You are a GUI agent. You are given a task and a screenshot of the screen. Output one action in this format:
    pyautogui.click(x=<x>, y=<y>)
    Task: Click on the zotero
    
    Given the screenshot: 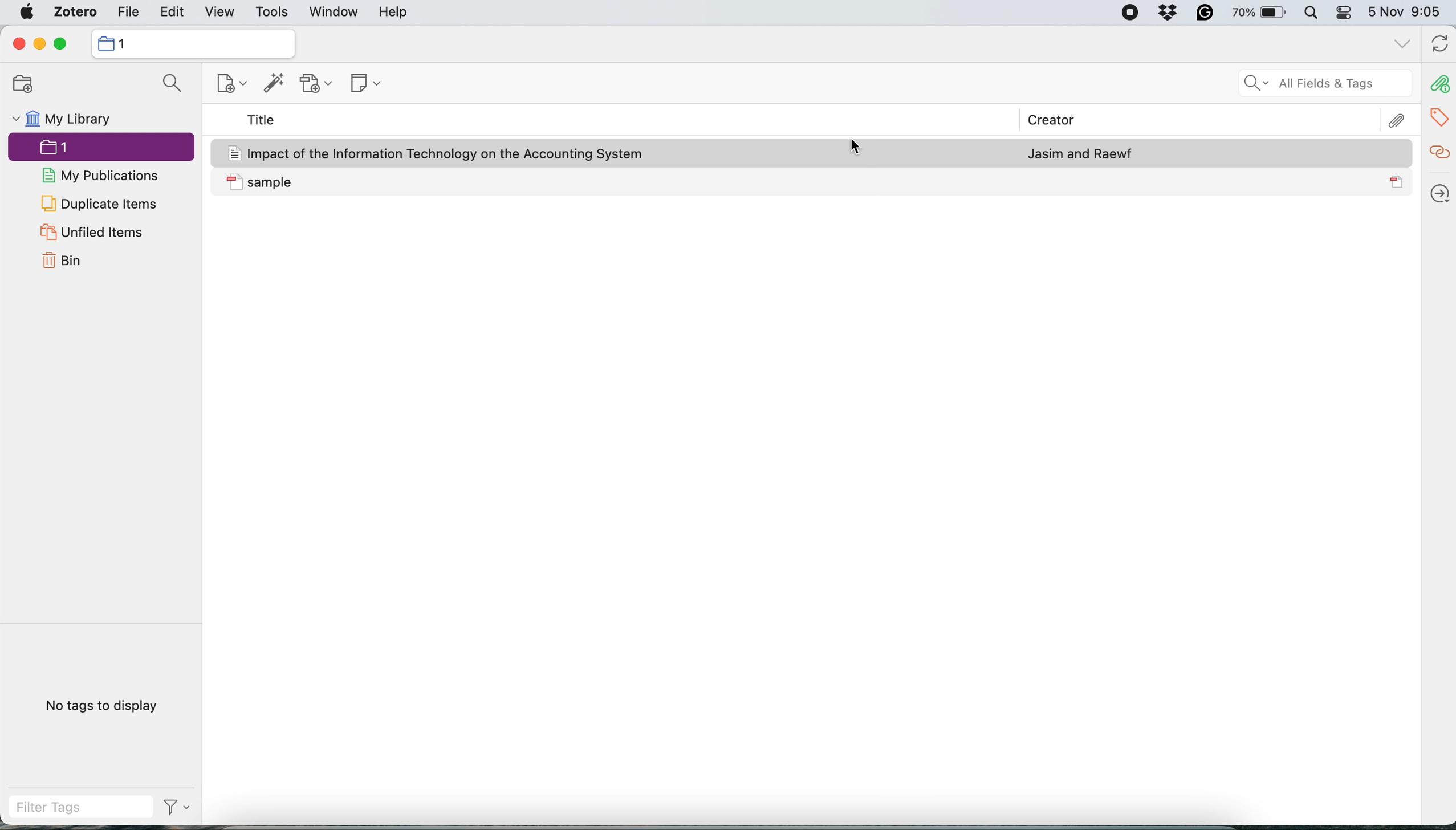 What is the action you would take?
    pyautogui.click(x=71, y=14)
    